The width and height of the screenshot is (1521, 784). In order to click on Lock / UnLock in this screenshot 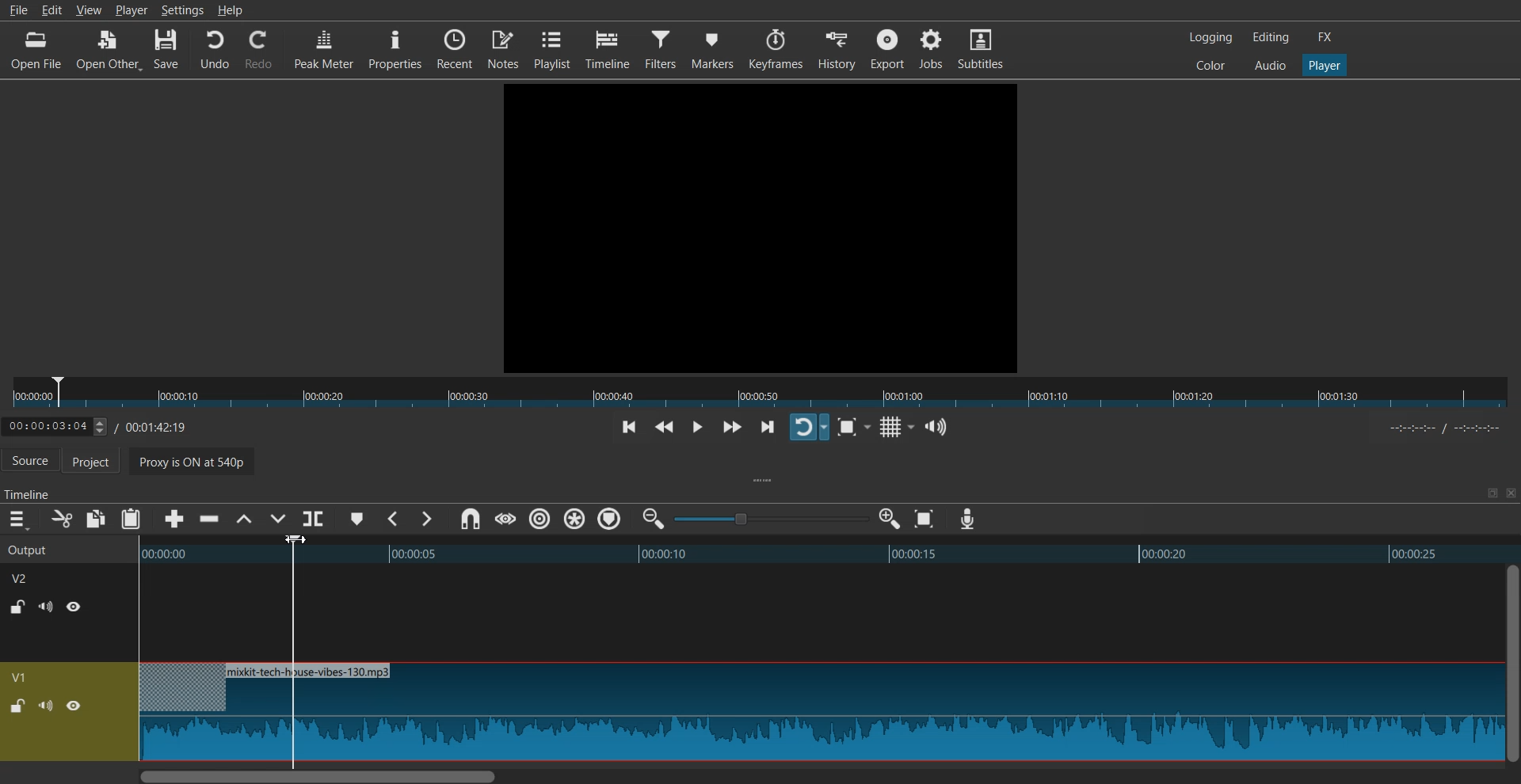, I will do `click(17, 706)`.